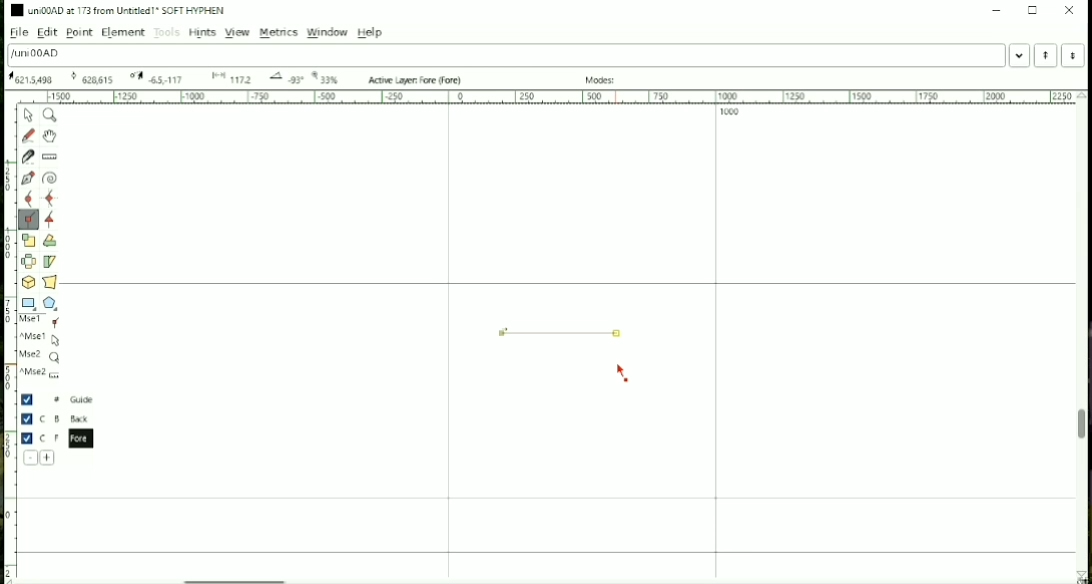 The width and height of the screenshot is (1092, 584). I want to click on Help, so click(370, 32).